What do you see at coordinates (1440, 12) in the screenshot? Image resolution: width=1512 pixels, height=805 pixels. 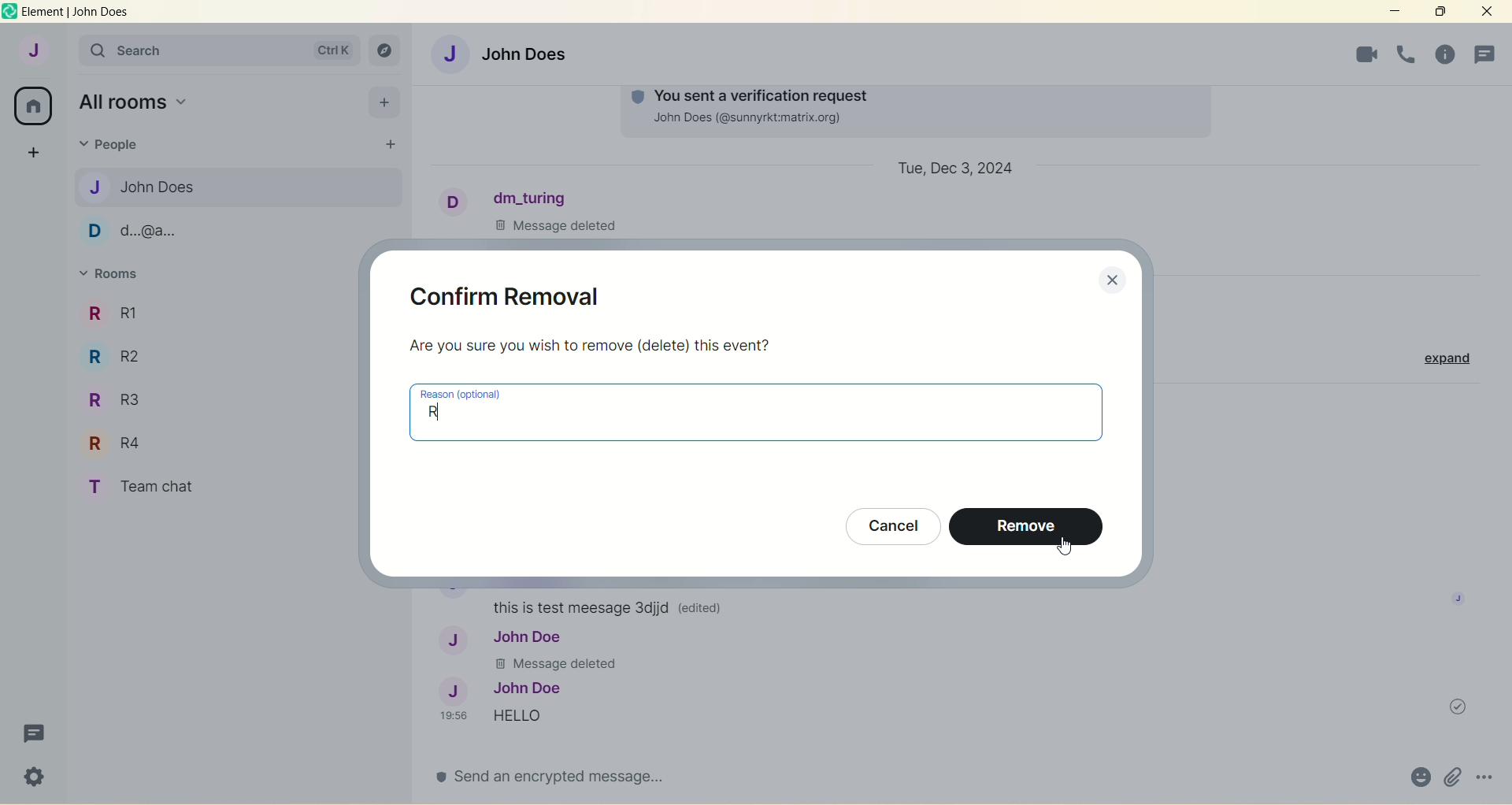 I see `maximize` at bounding box center [1440, 12].